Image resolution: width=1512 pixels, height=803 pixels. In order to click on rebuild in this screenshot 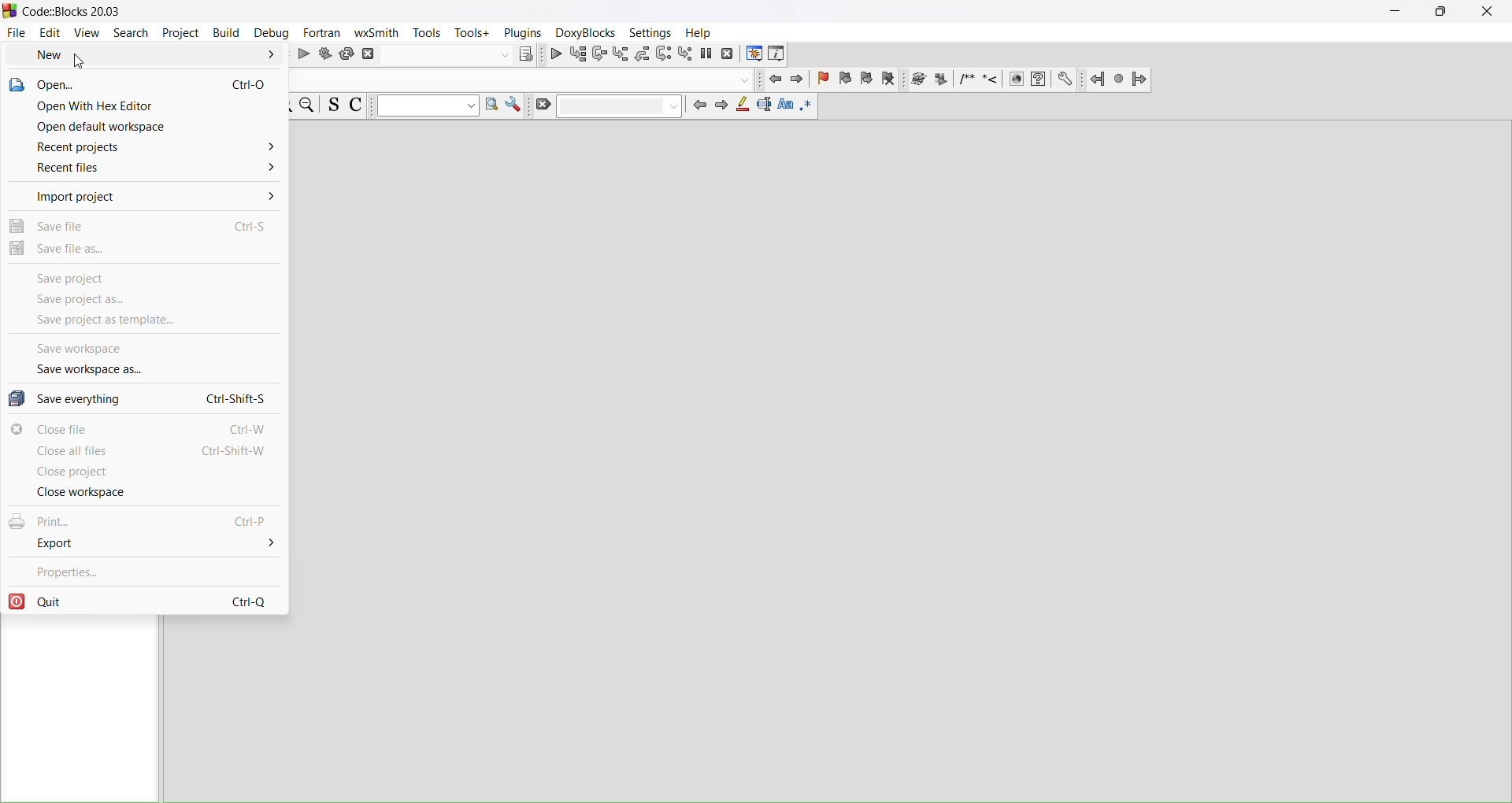, I will do `click(348, 57)`.